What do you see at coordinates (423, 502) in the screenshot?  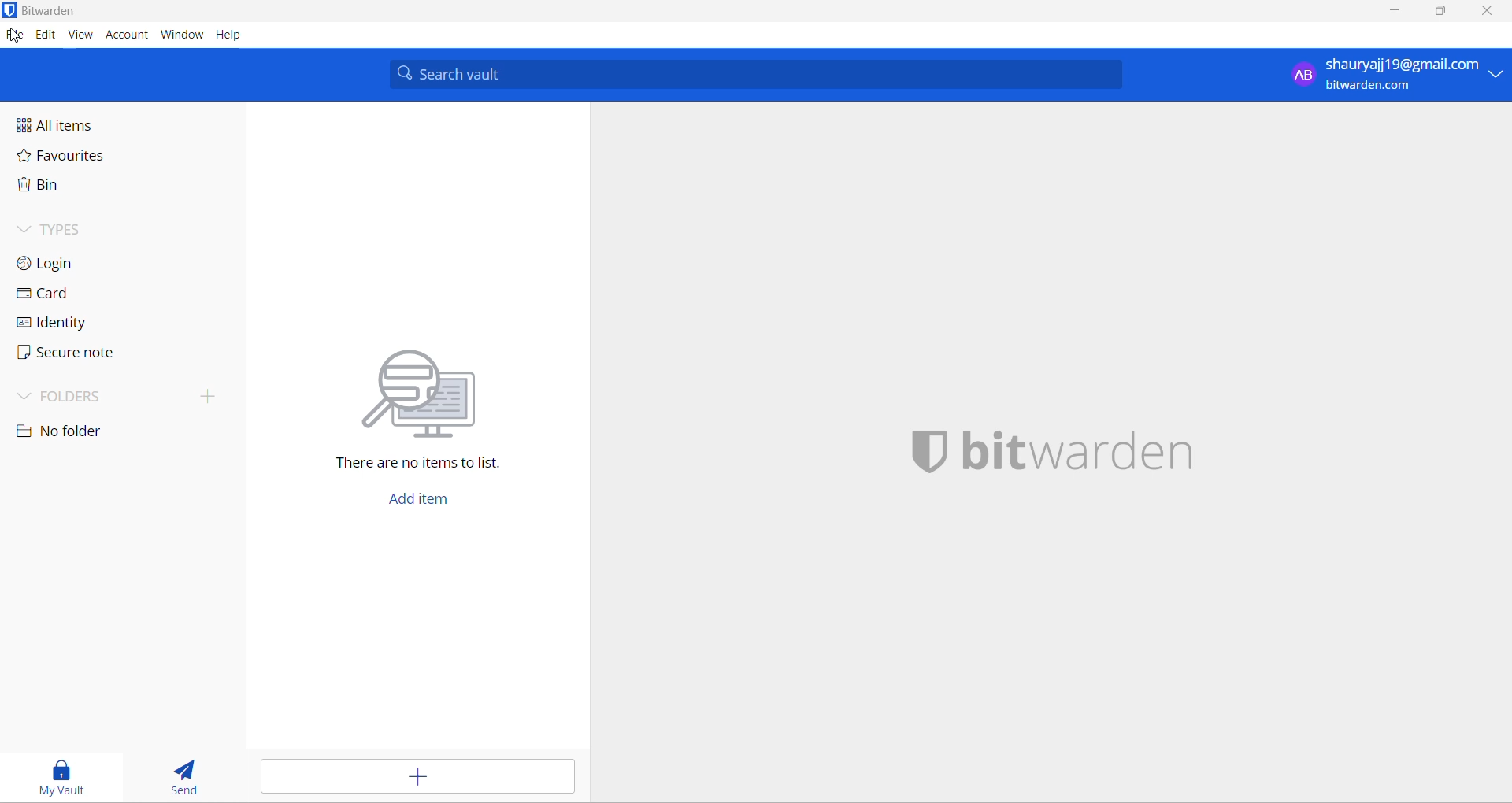 I see `add item button` at bounding box center [423, 502].